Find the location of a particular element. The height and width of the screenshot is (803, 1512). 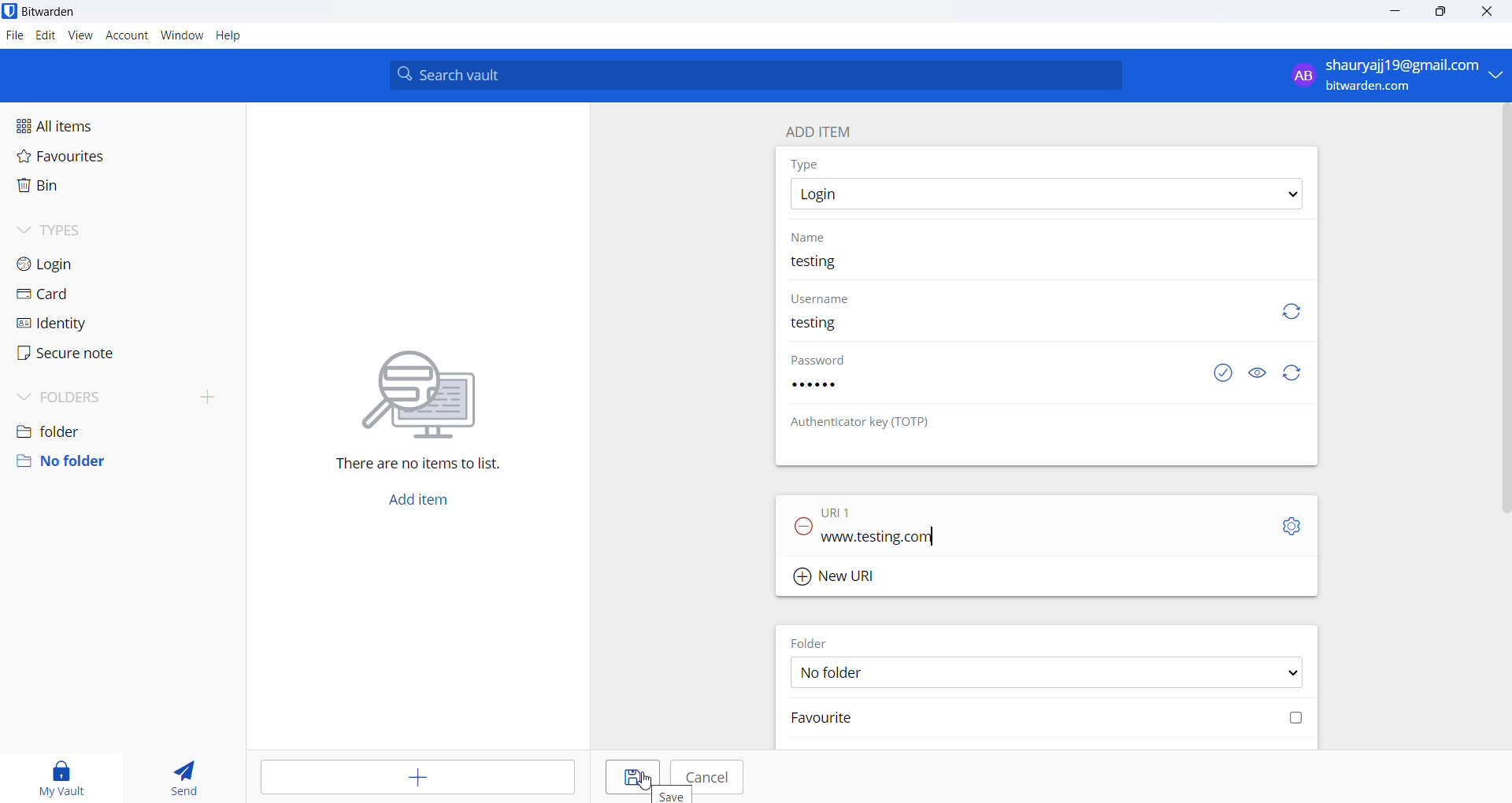

add button is located at coordinates (417, 502).